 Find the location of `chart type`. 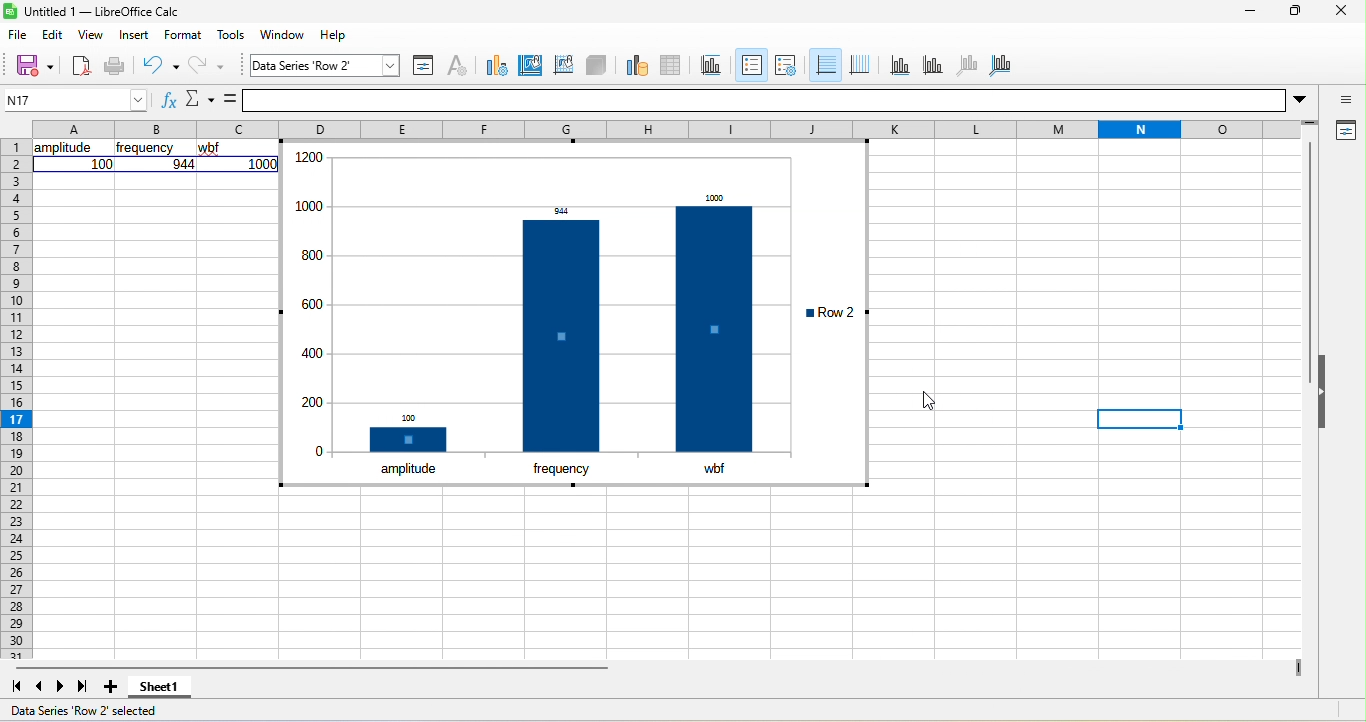

chart type is located at coordinates (495, 67).